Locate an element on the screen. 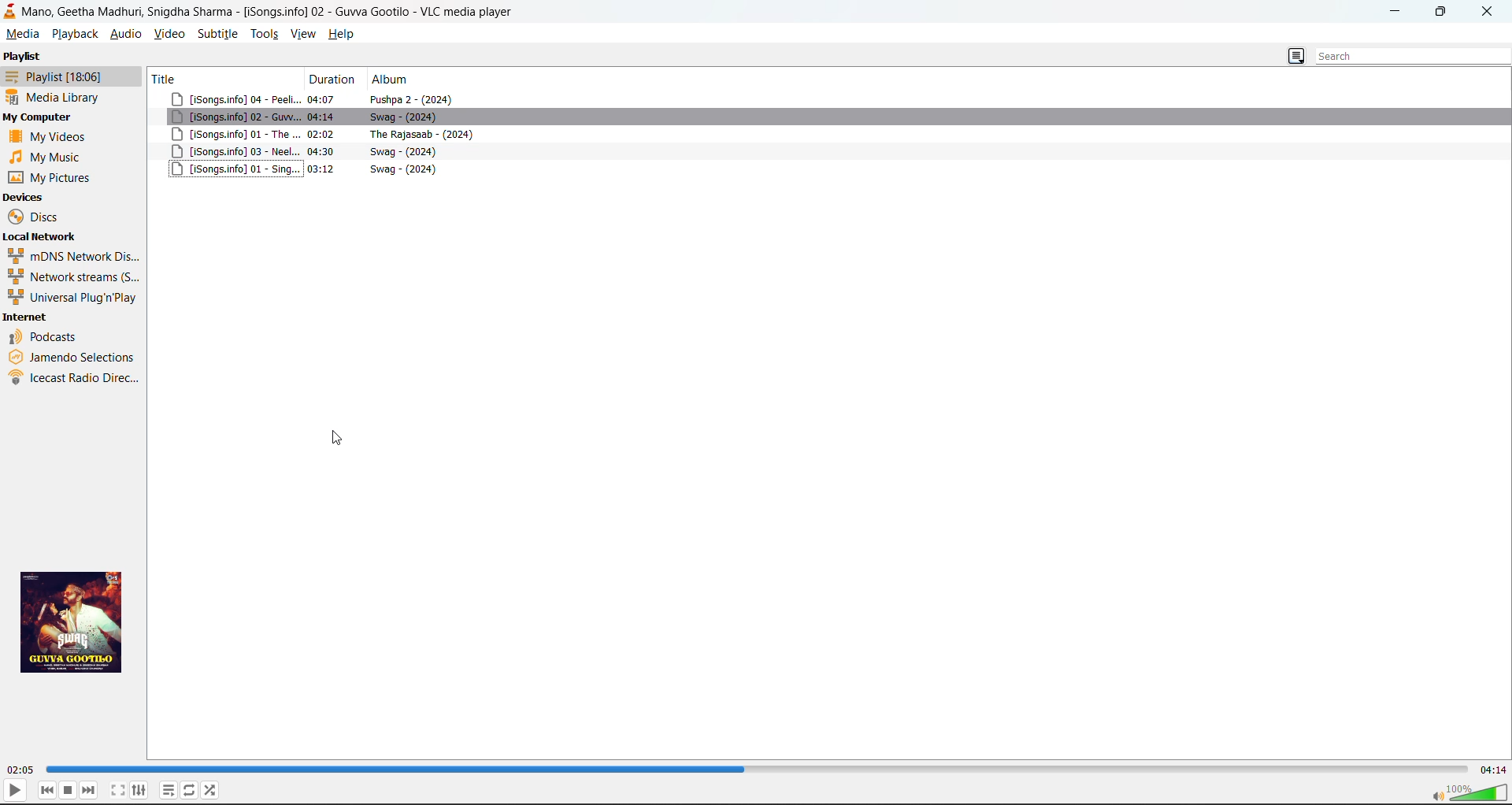  maximize is located at coordinates (1443, 13).